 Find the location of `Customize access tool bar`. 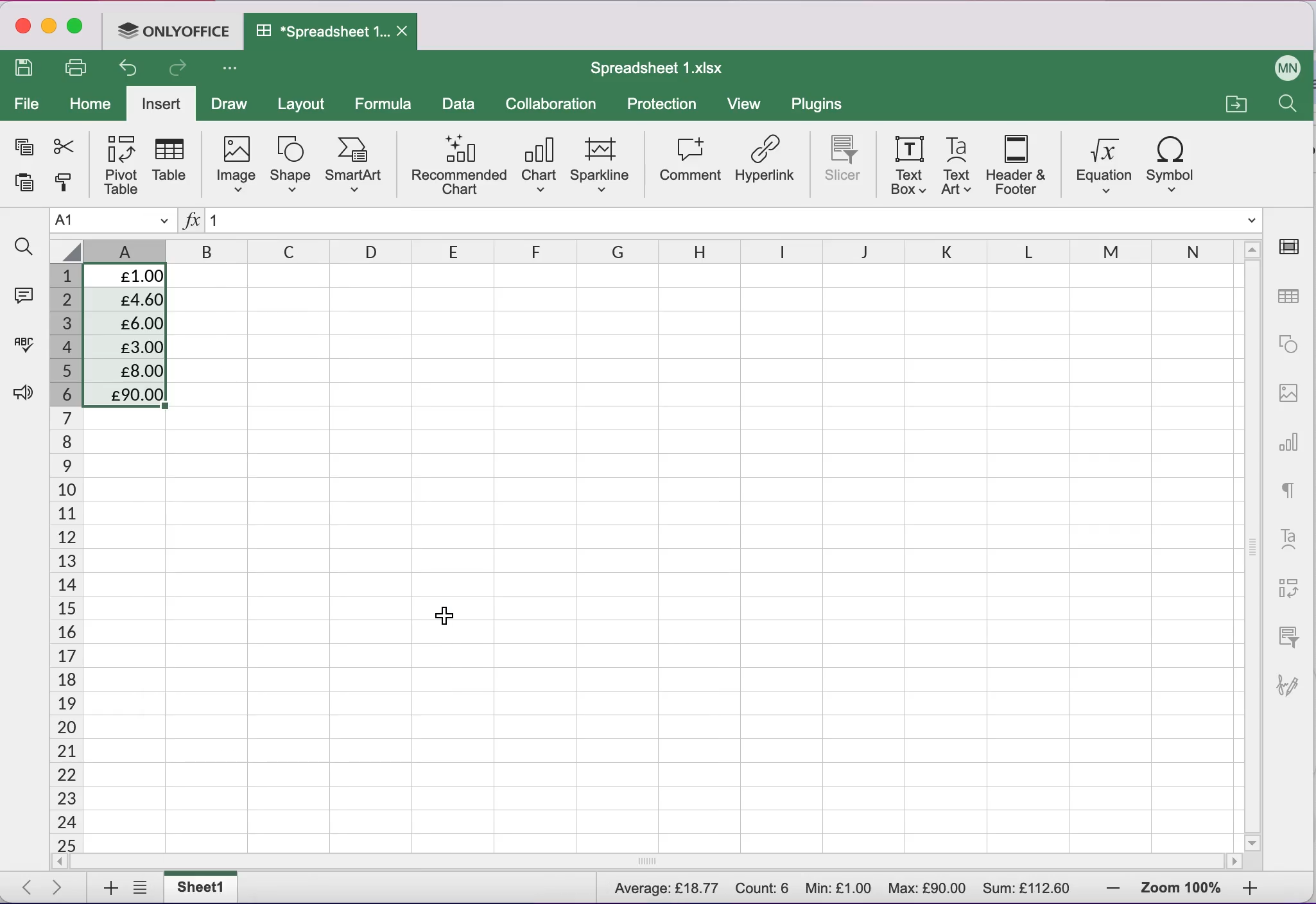

Customize access tool bar is located at coordinates (230, 67).